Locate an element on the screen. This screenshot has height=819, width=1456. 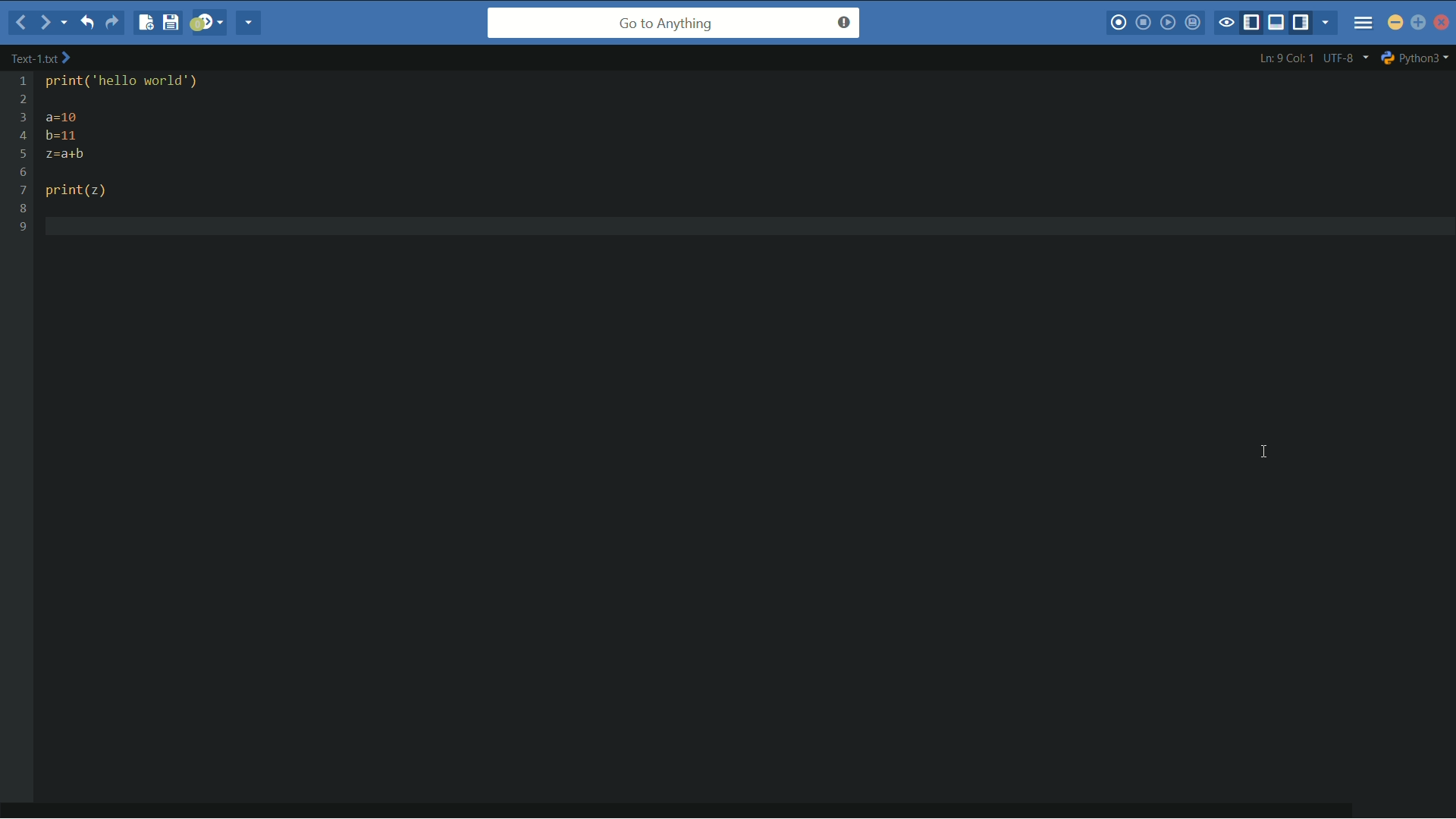
utf-8 is located at coordinates (1345, 58).